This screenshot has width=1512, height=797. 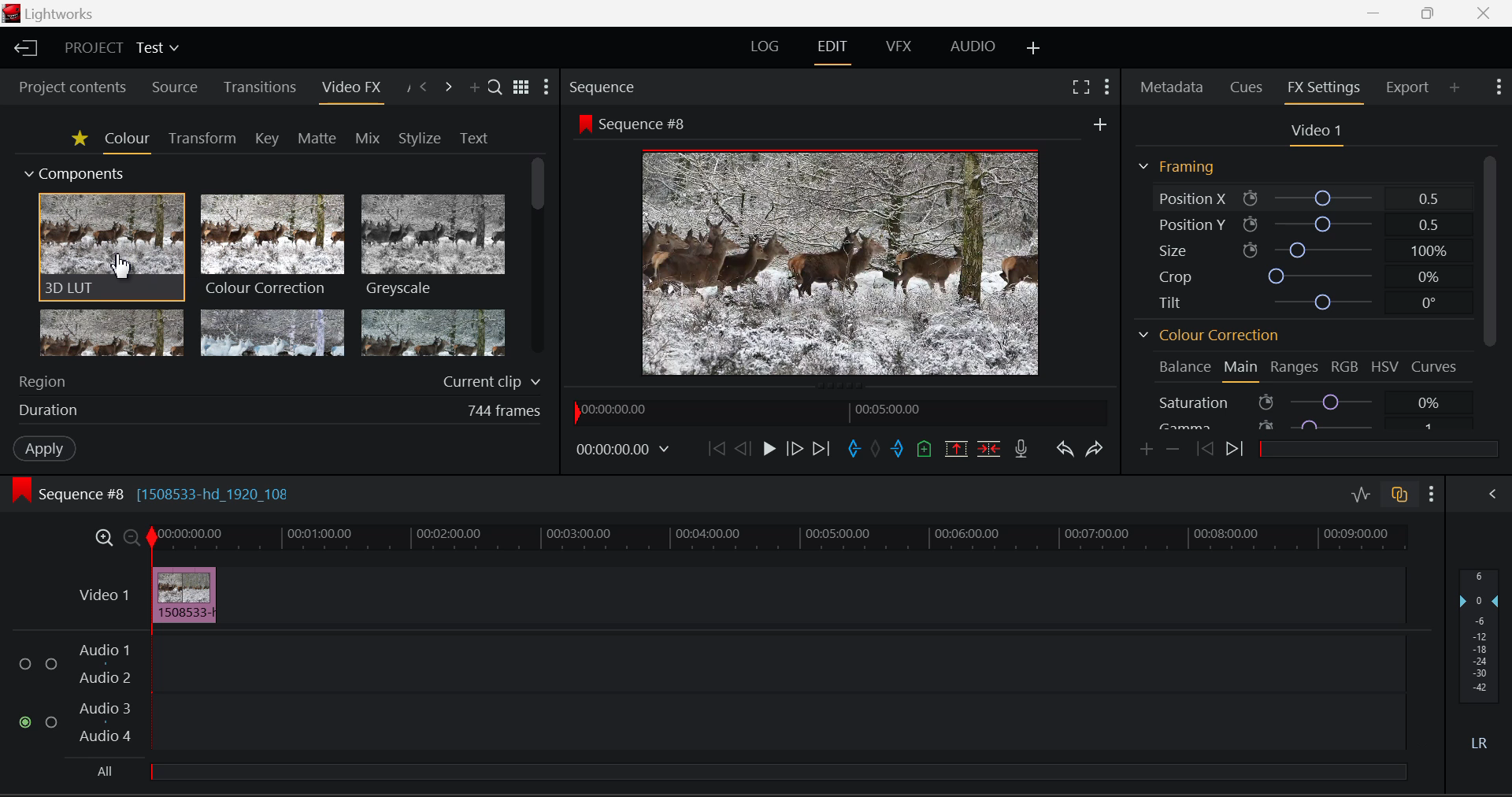 What do you see at coordinates (1433, 367) in the screenshot?
I see `Curves` at bounding box center [1433, 367].